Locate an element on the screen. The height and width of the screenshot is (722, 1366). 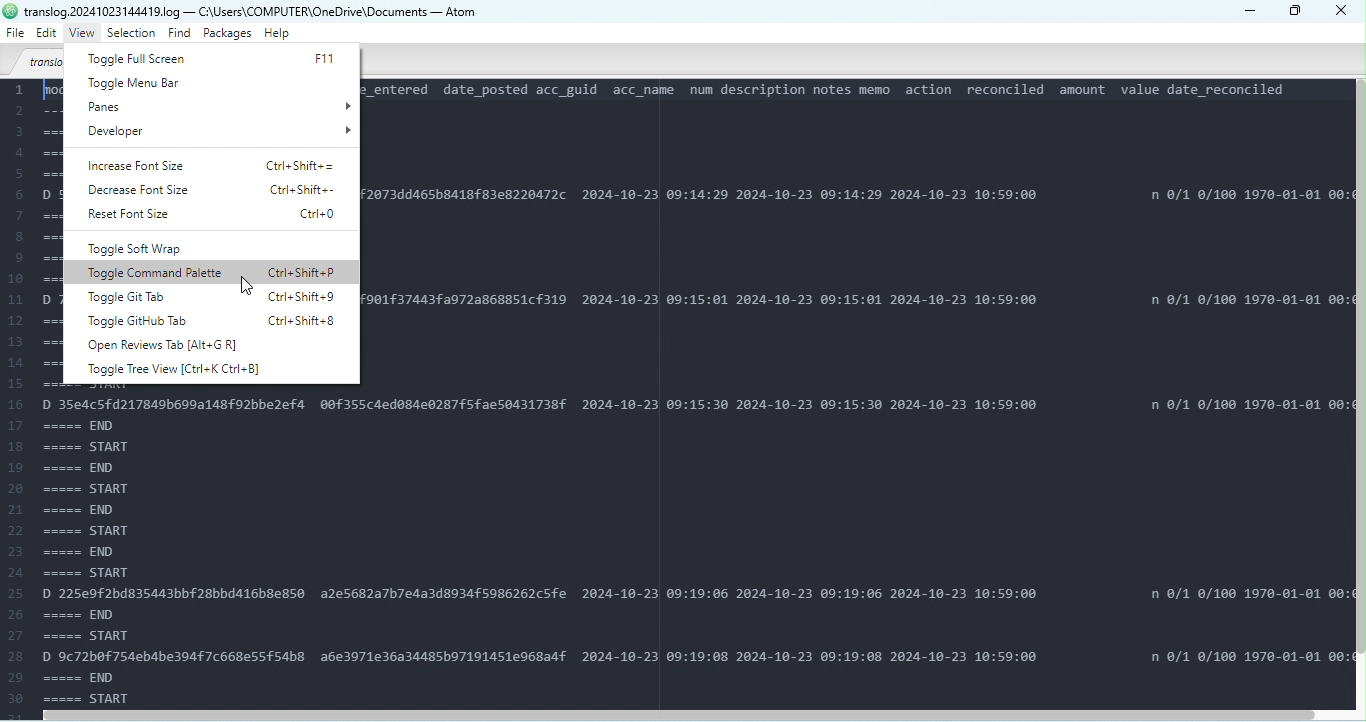
Increase font size is located at coordinates (217, 164).